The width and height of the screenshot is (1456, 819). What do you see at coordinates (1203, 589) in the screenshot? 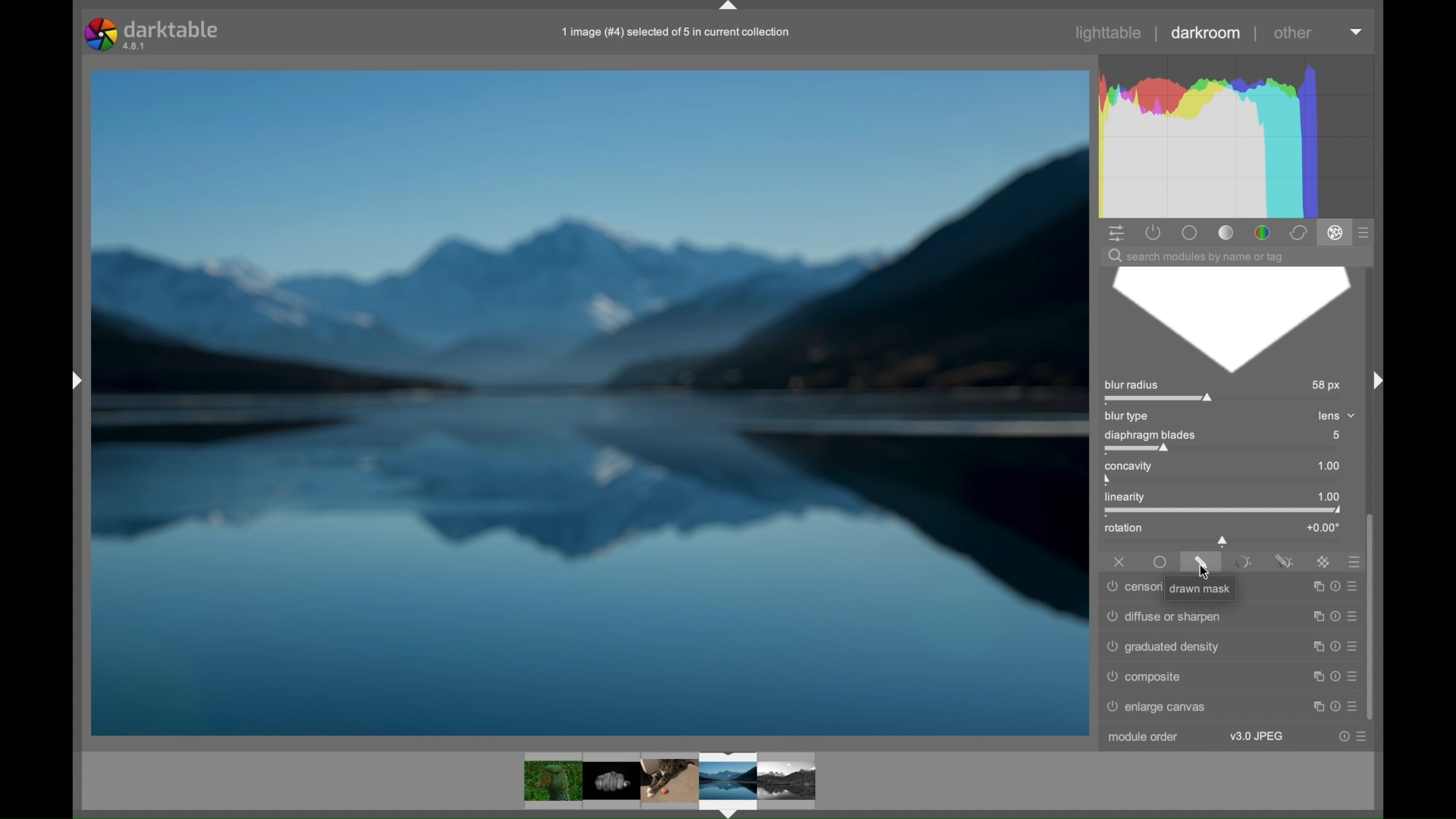
I see `drawn mask` at bounding box center [1203, 589].